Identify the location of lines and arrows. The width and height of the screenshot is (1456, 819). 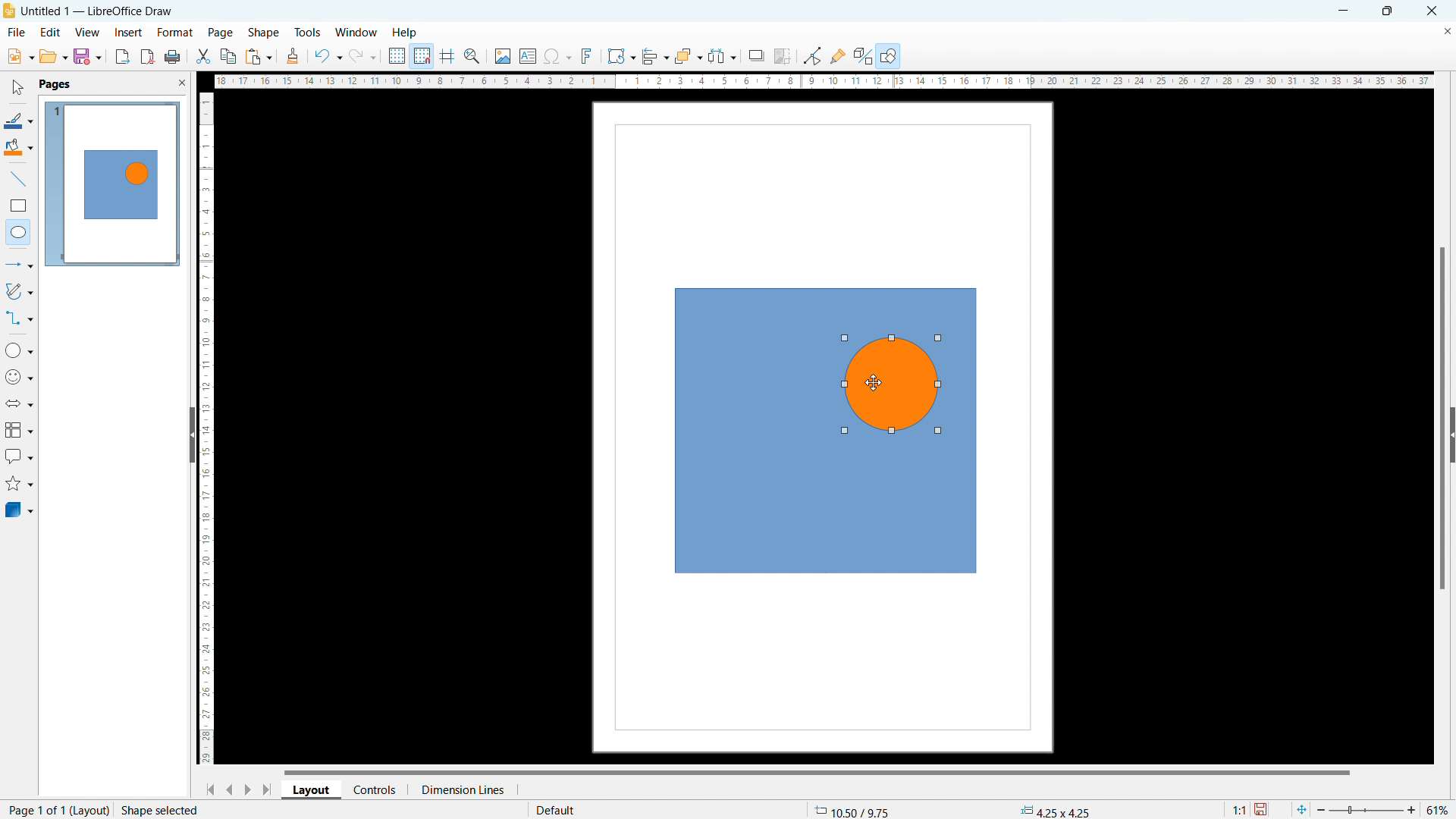
(20, 266).